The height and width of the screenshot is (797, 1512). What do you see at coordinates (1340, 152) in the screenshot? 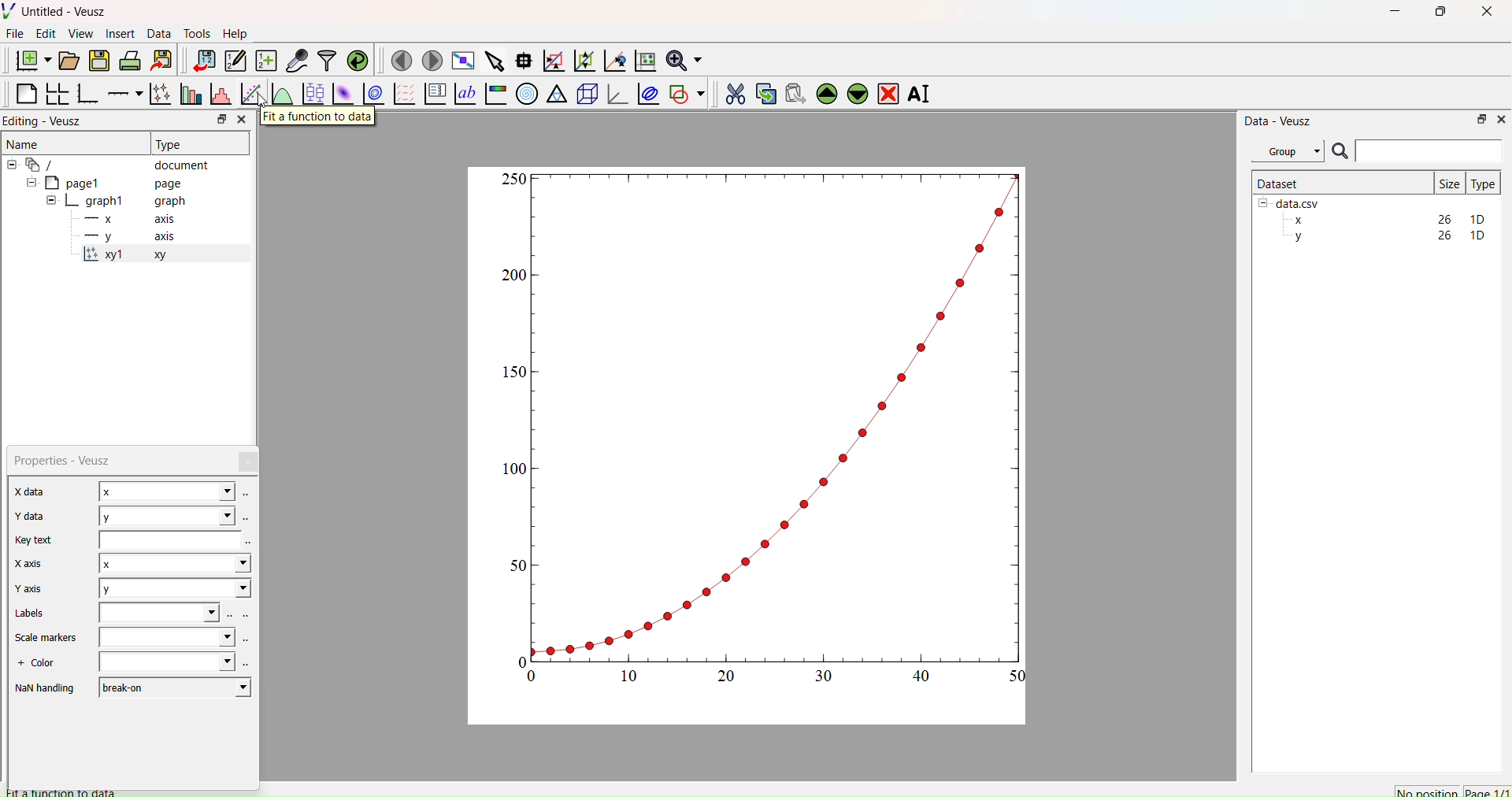
I see `Search` at bounding box center [1340, 152].